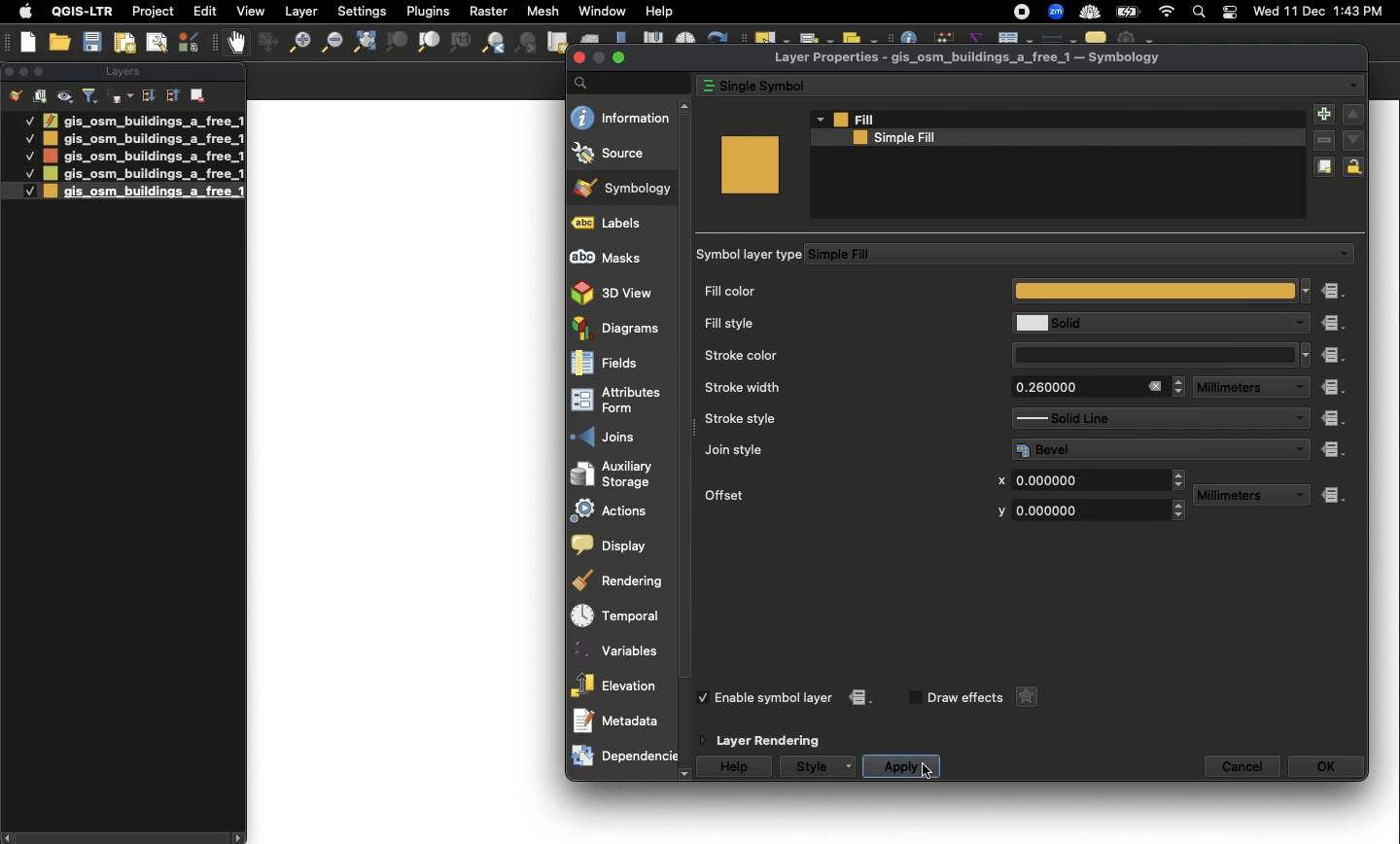  What do you see at coordinates (295, 45) in the screenshot?
I see `Zoom out` at bounding box center [295, 45].